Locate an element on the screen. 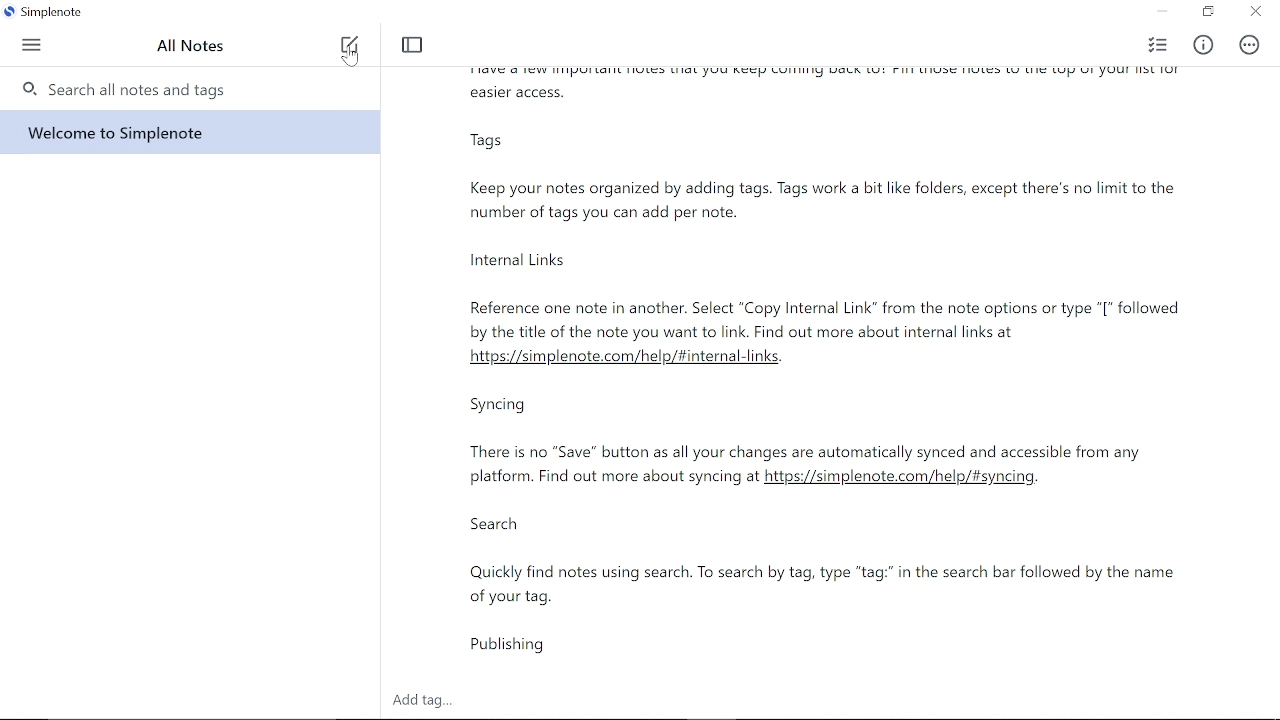  Add tag is located at coordinates (419, 700).